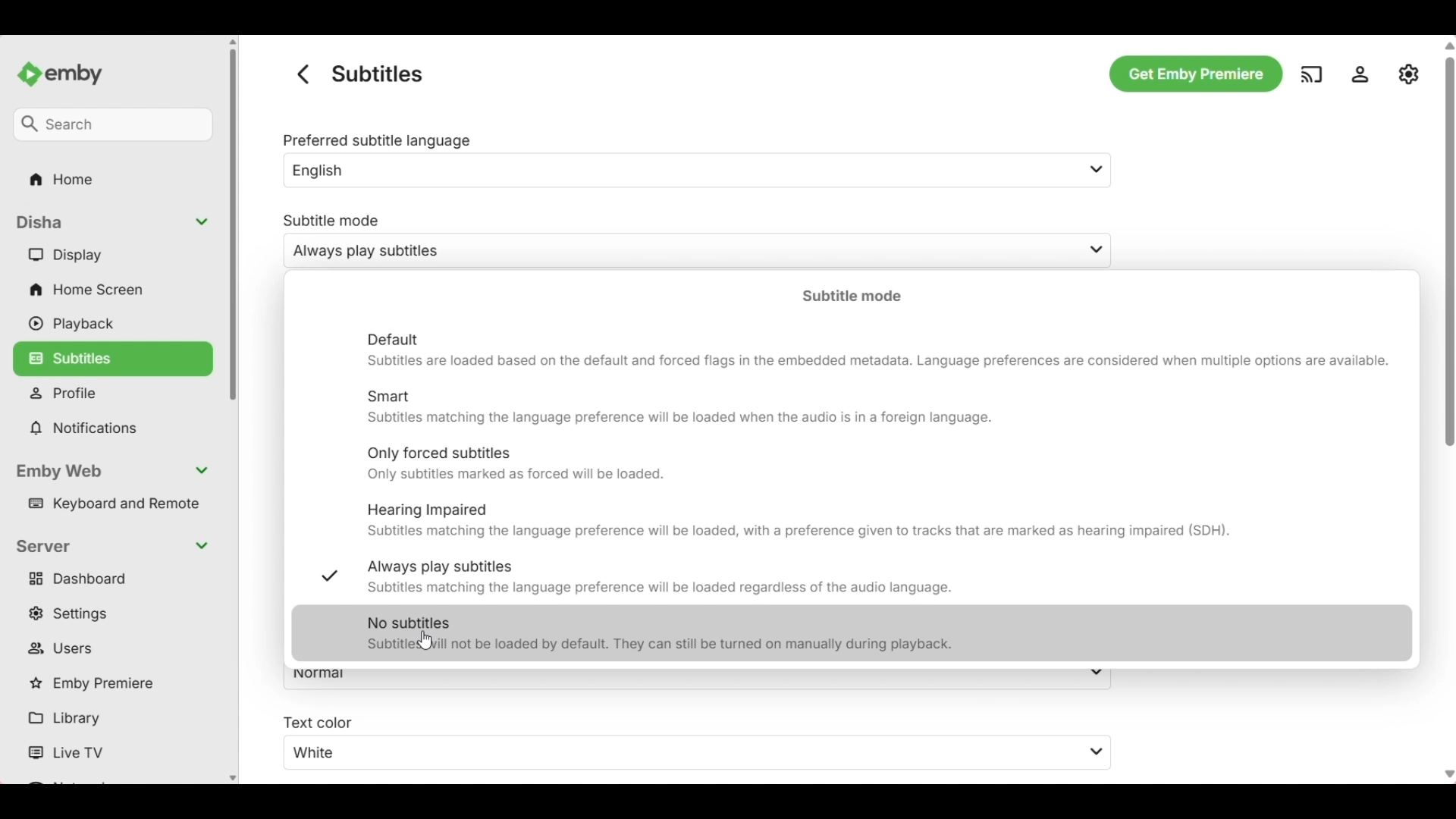 The height and width of the screenshot is (819, 1456). I want to click on Notification, so click(114, 428).